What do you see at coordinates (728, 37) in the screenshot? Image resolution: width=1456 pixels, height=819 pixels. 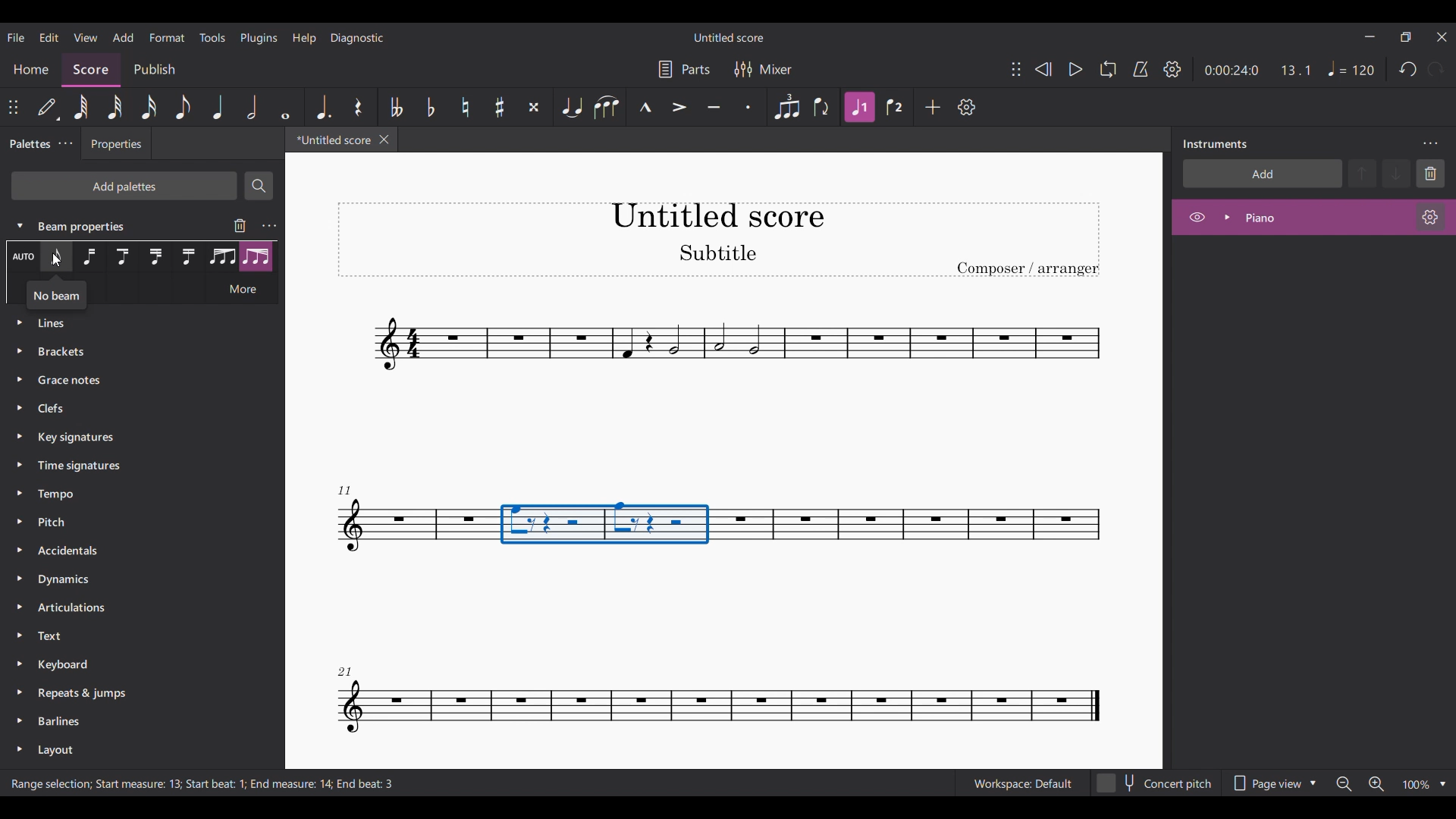 I see `Untitled score` at bounding box center [728, 37].